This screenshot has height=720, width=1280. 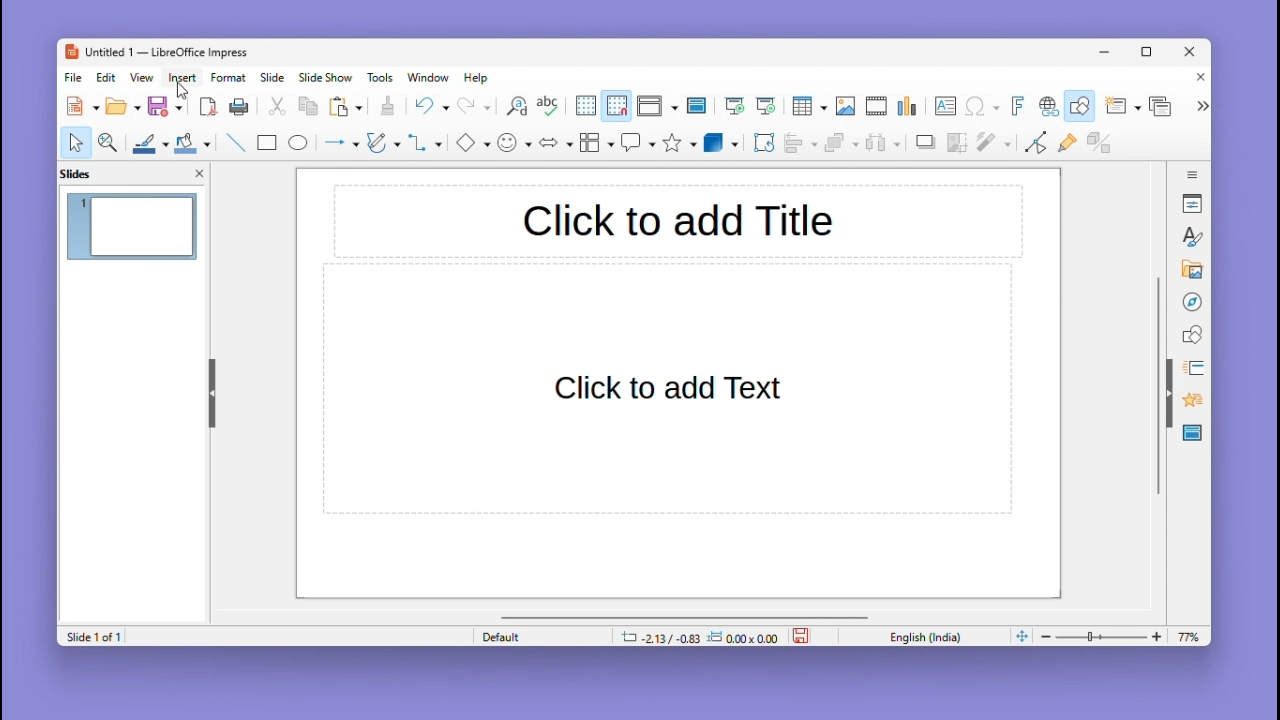 What do you see at coordinates (145, 77) in the screenshot?
I see `View` at bounding box center [145, 77].